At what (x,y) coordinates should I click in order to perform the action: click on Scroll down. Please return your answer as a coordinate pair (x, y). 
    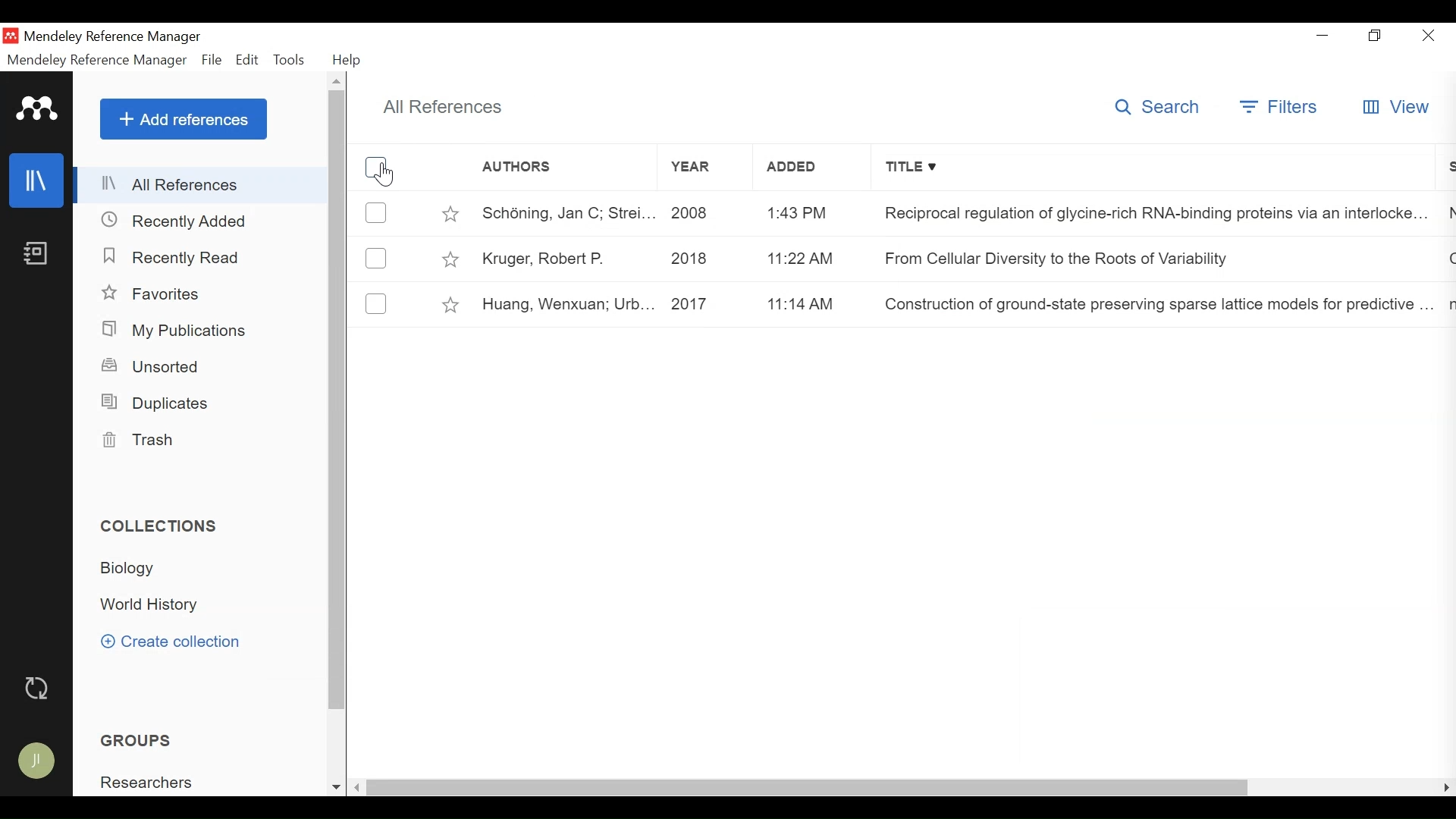
    Looking at the image, I should click on (336, 785).